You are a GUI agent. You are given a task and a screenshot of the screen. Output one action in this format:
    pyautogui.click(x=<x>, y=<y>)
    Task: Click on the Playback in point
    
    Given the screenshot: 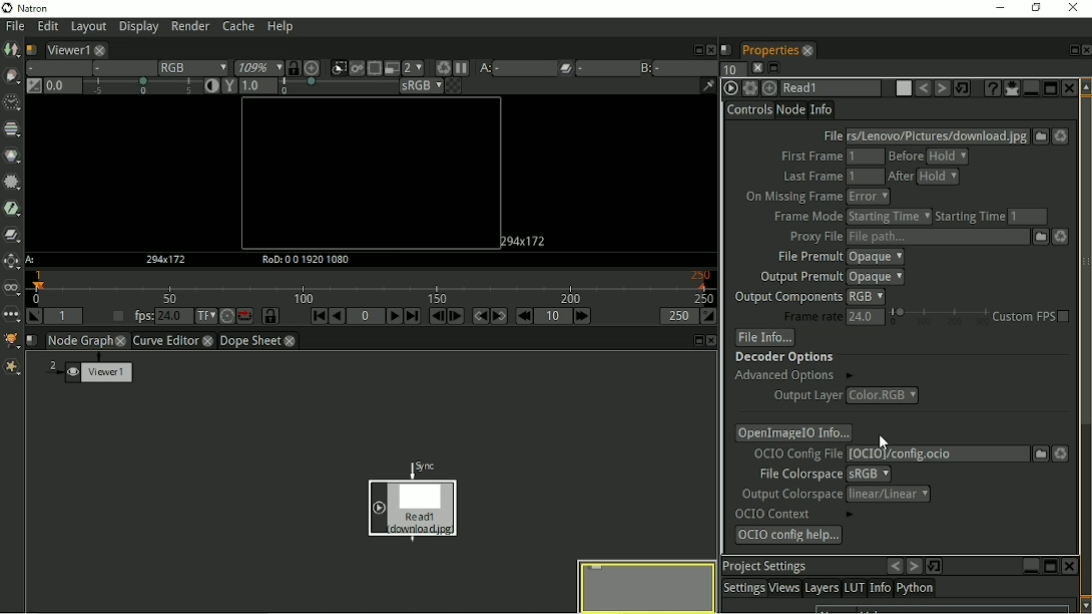 What is the action you would take?
    pyautogui.click(x=66, y=317)
    